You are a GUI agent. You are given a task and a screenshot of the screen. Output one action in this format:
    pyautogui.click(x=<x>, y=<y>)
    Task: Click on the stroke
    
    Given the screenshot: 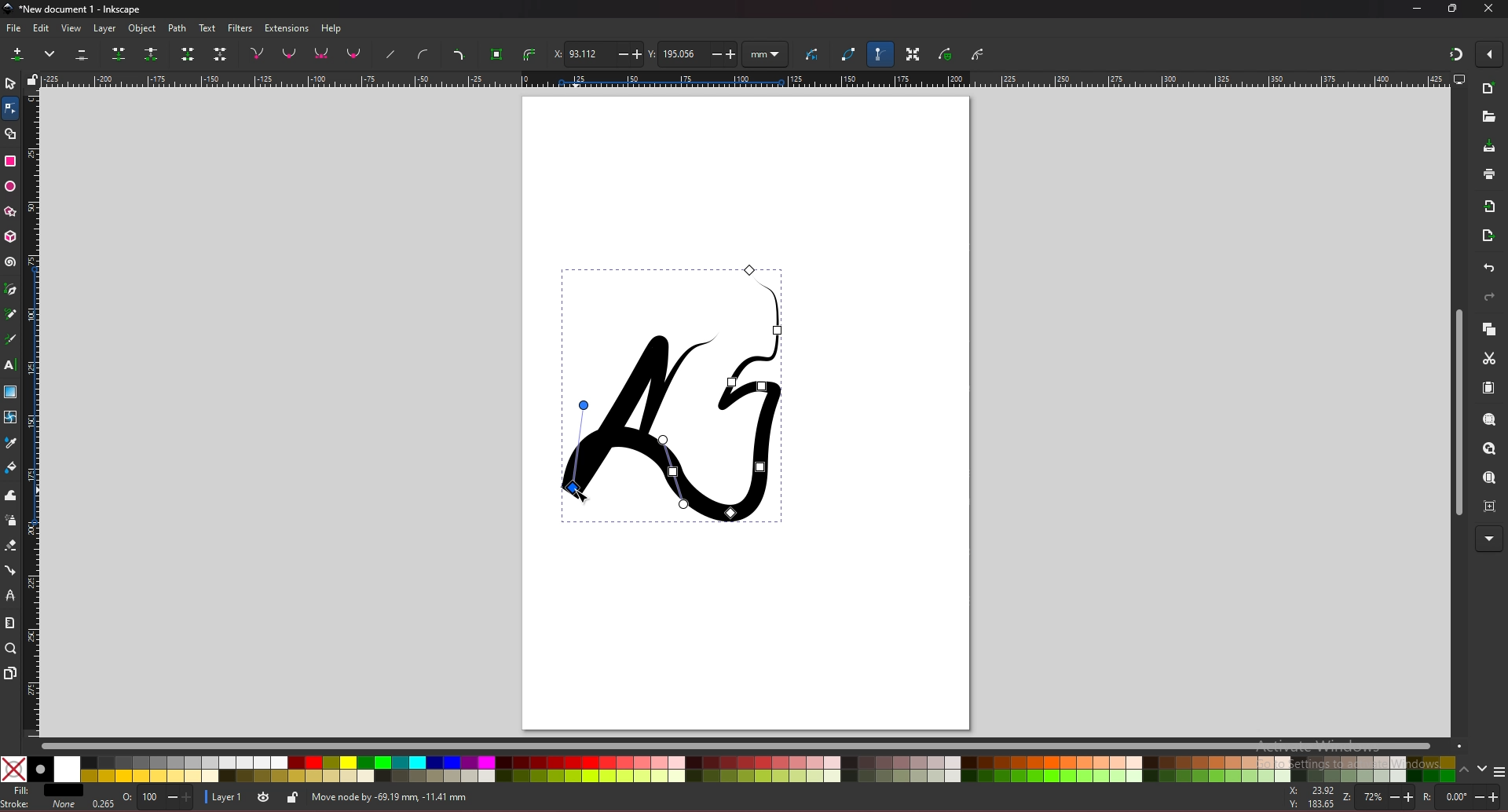 What is the action you would take?
    pyautogui.click(x=39, y=807)
    